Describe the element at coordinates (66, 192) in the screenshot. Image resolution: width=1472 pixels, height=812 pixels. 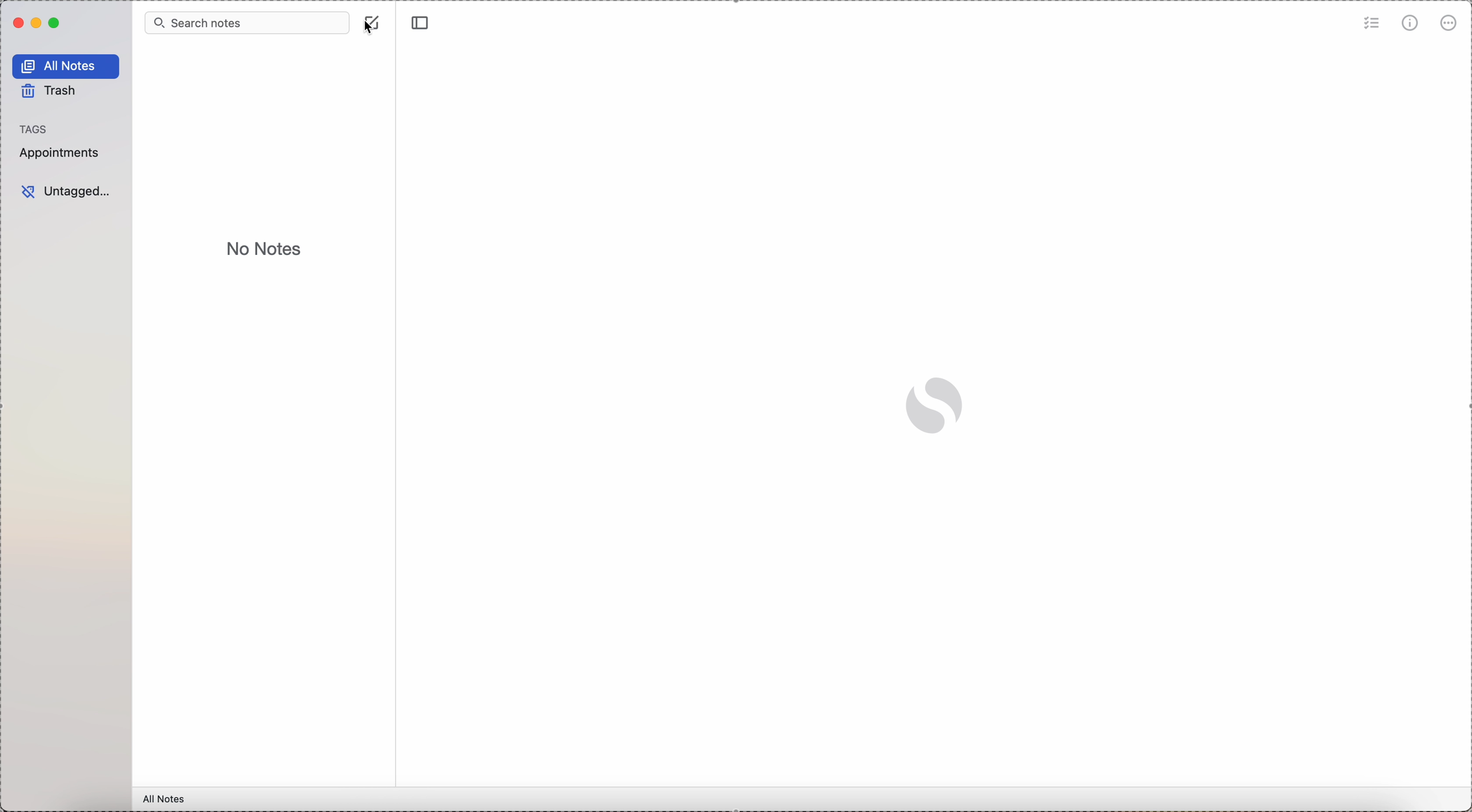
I see `untagged` at that location.